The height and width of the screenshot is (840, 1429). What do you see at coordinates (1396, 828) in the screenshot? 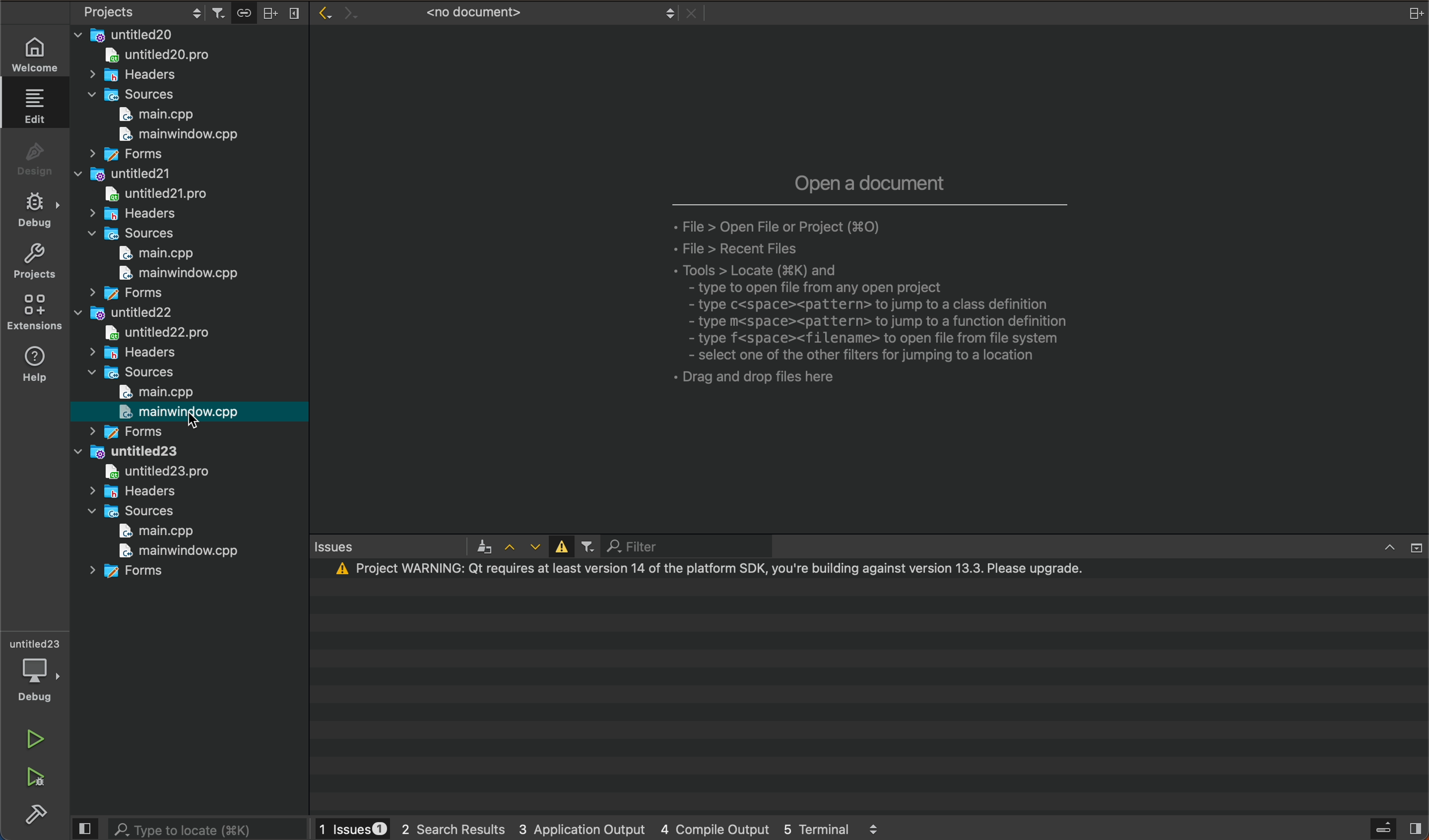
I see `close slide bar` at bounding box center [1396, 828].